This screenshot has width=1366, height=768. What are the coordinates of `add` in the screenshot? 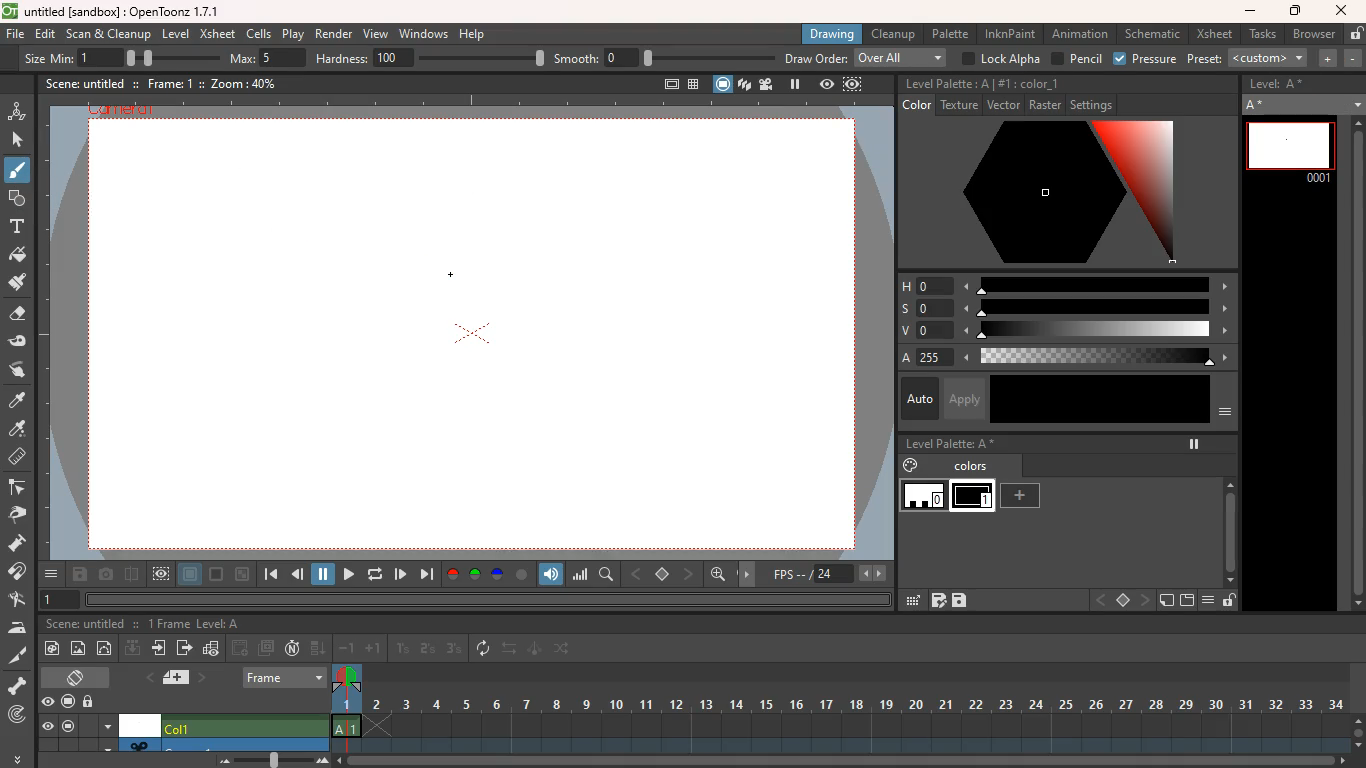 It's located at (1022, 495).